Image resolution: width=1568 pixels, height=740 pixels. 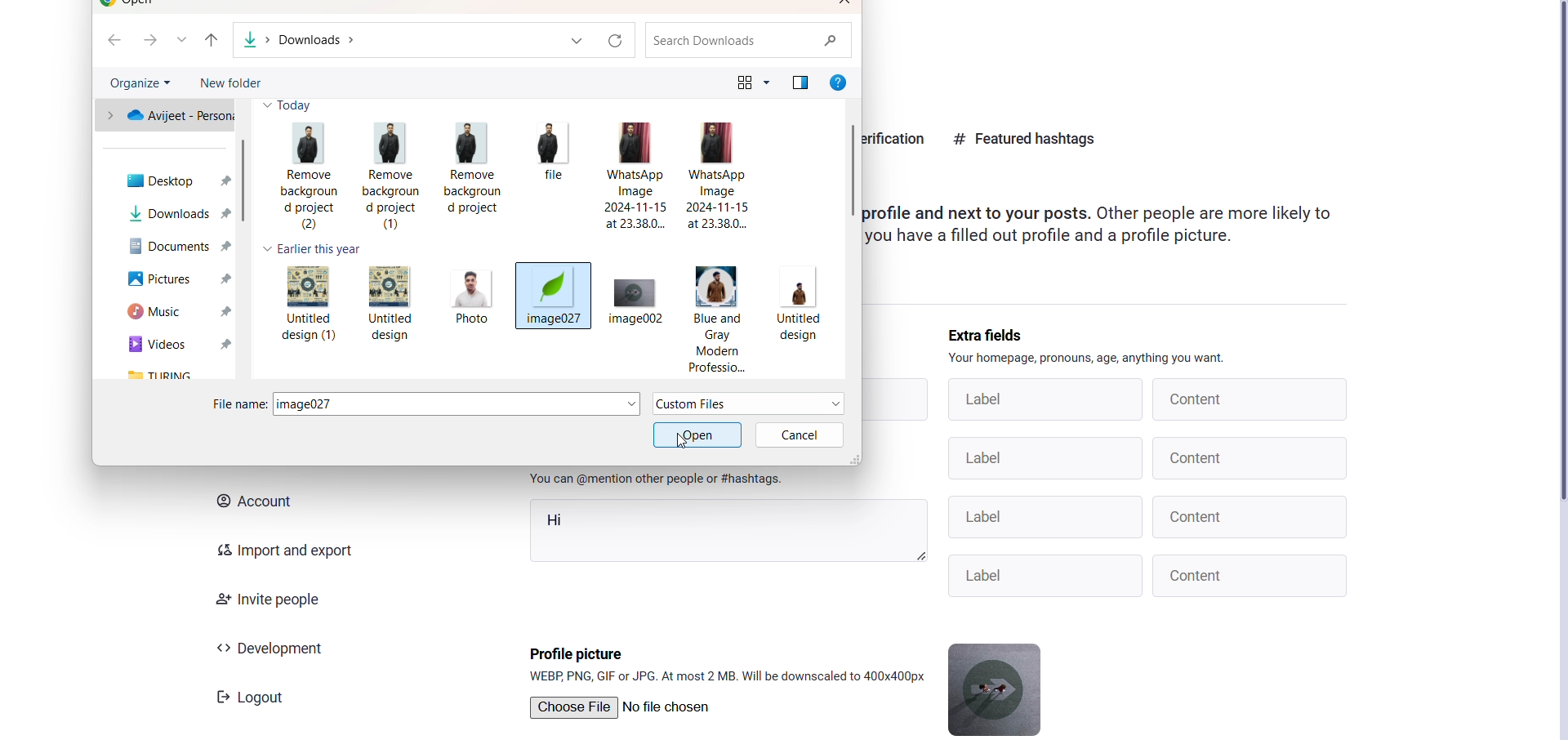 I want to click on Remove background project (1), so click(x=391, y=178).